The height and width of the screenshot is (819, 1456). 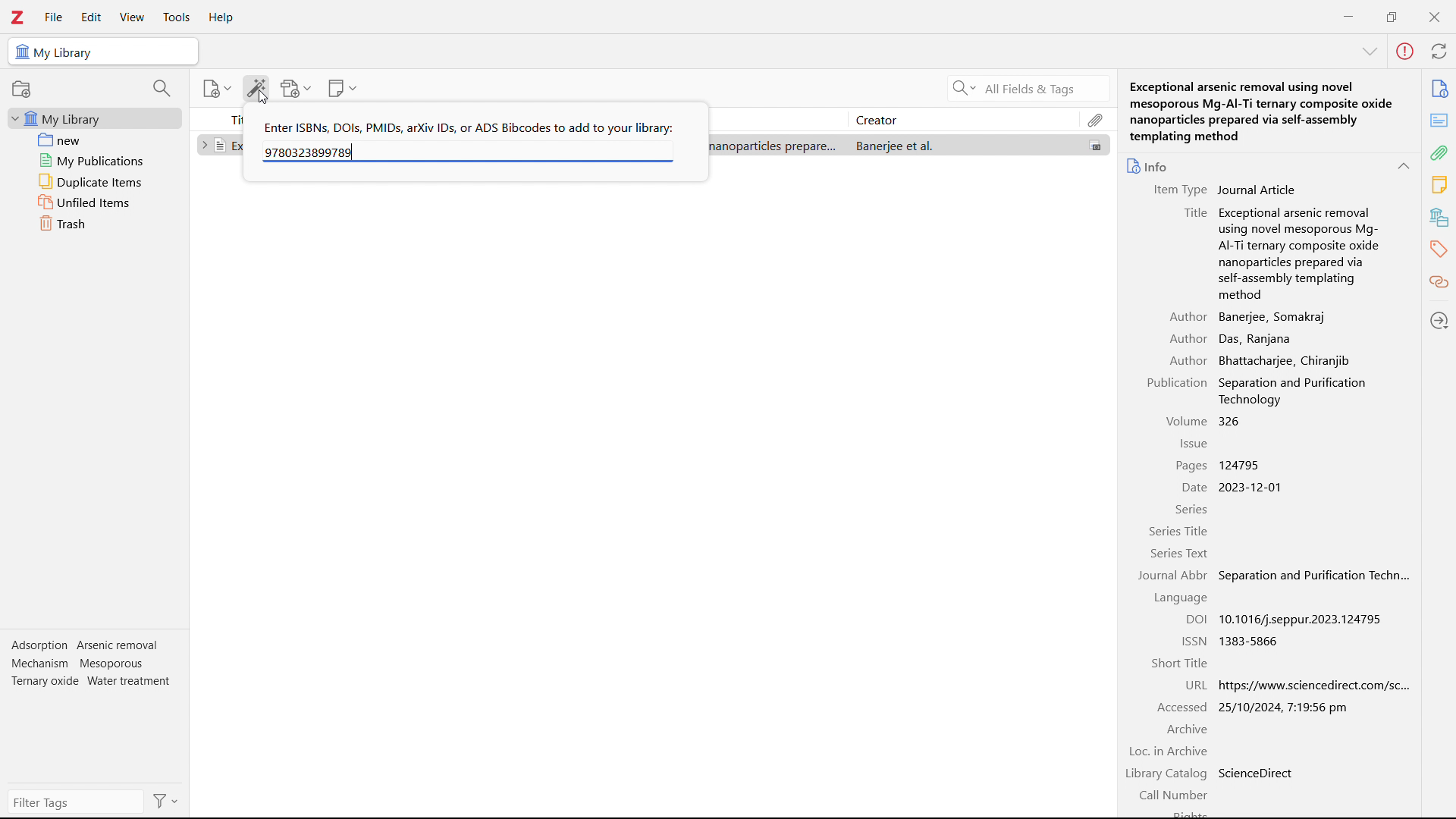 I want to click on Enter ISBNs, DOIs, PMIDs and ARXIV ids or ADS biocodes to add to your library, so click(x=468, y=127).